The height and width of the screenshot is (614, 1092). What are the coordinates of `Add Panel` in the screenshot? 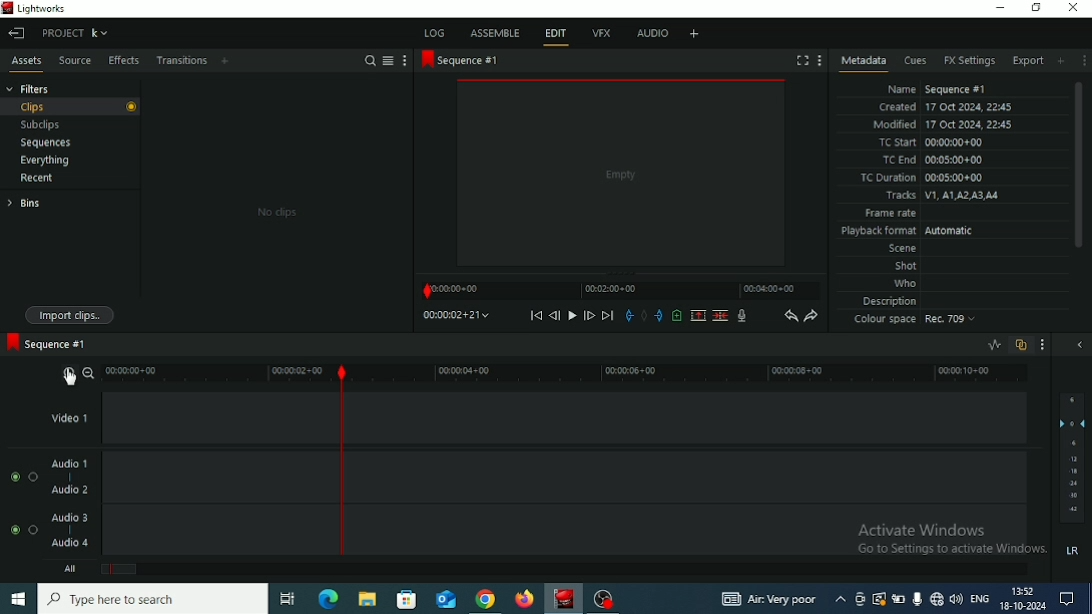 It's located at (1061, 61).